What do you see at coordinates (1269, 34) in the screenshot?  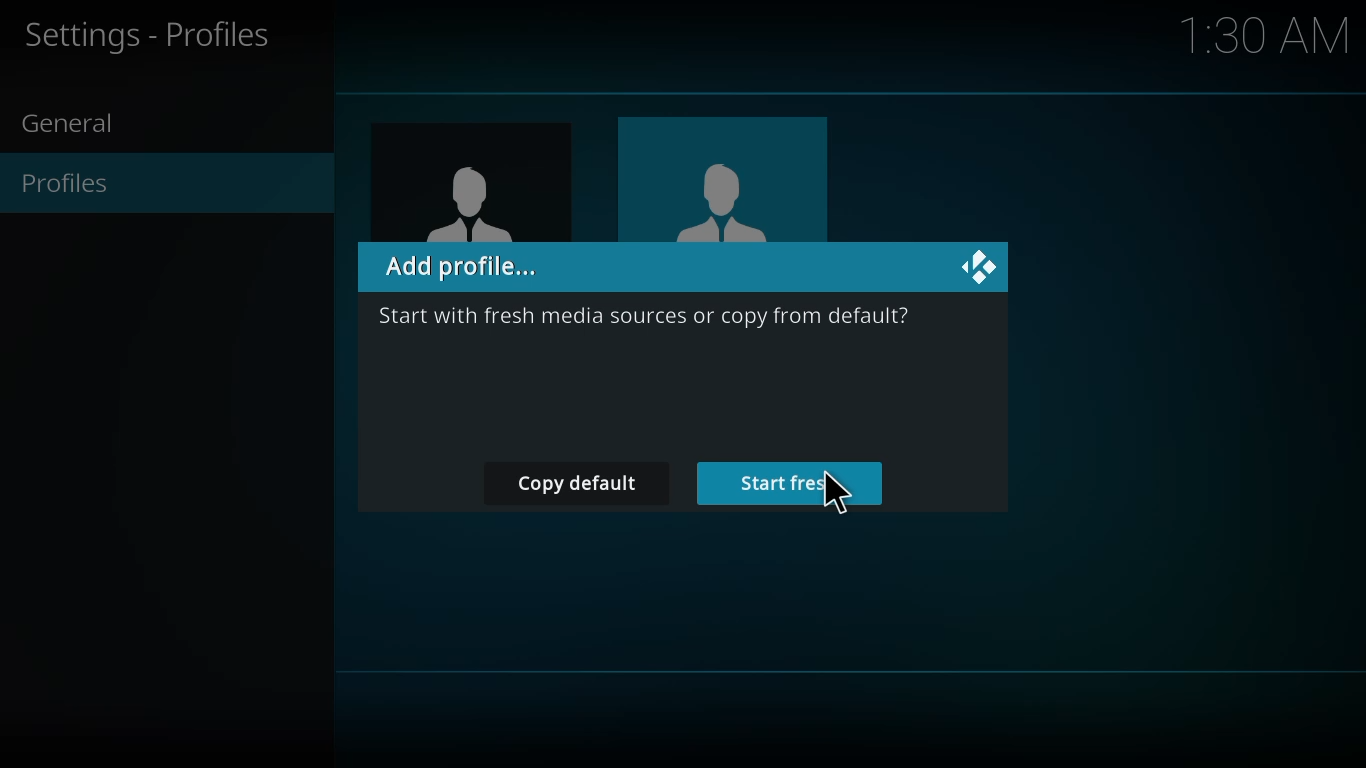 I see `time` at bounding box center [1269, 34].